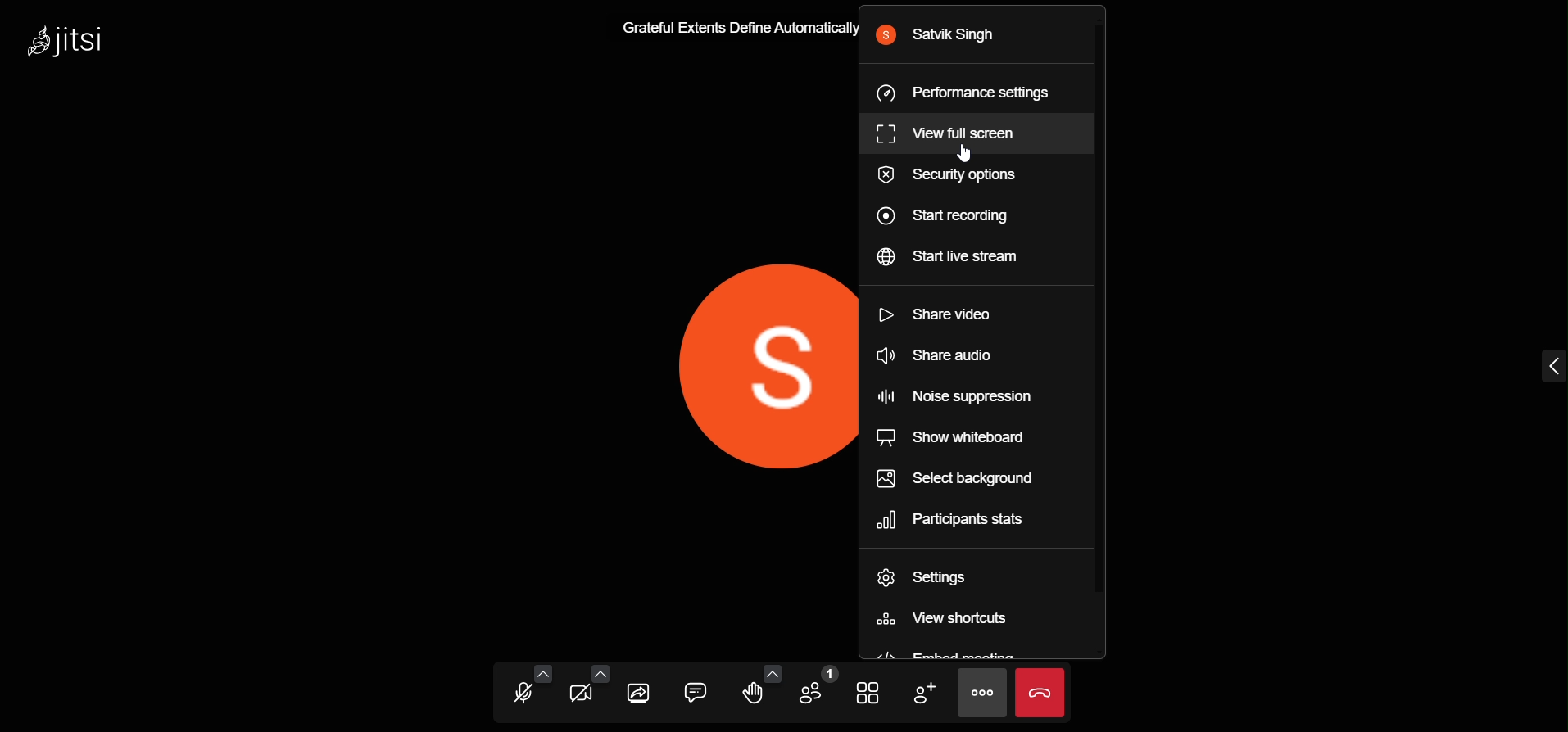  Describe the element at coordinates (815, 687) in the screenshot. I see `participants` at that location.